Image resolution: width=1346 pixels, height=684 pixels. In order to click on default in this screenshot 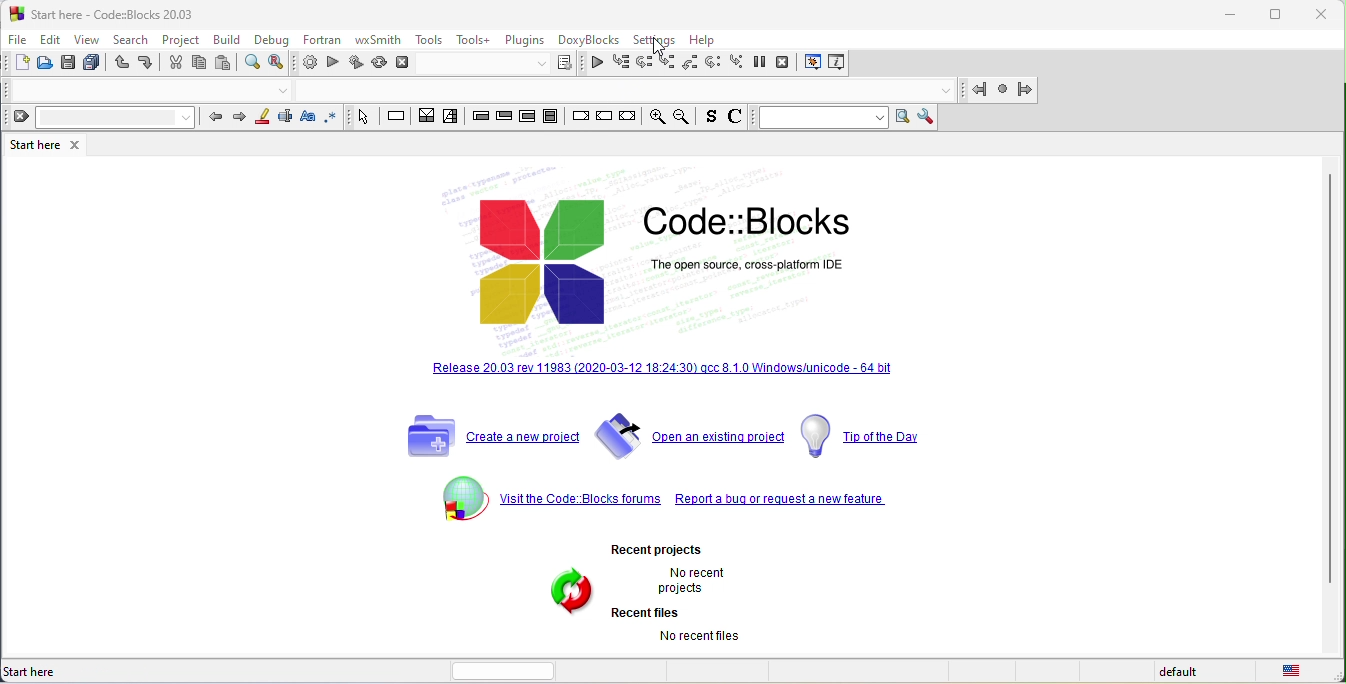, I will do `click(1171, 673)`.